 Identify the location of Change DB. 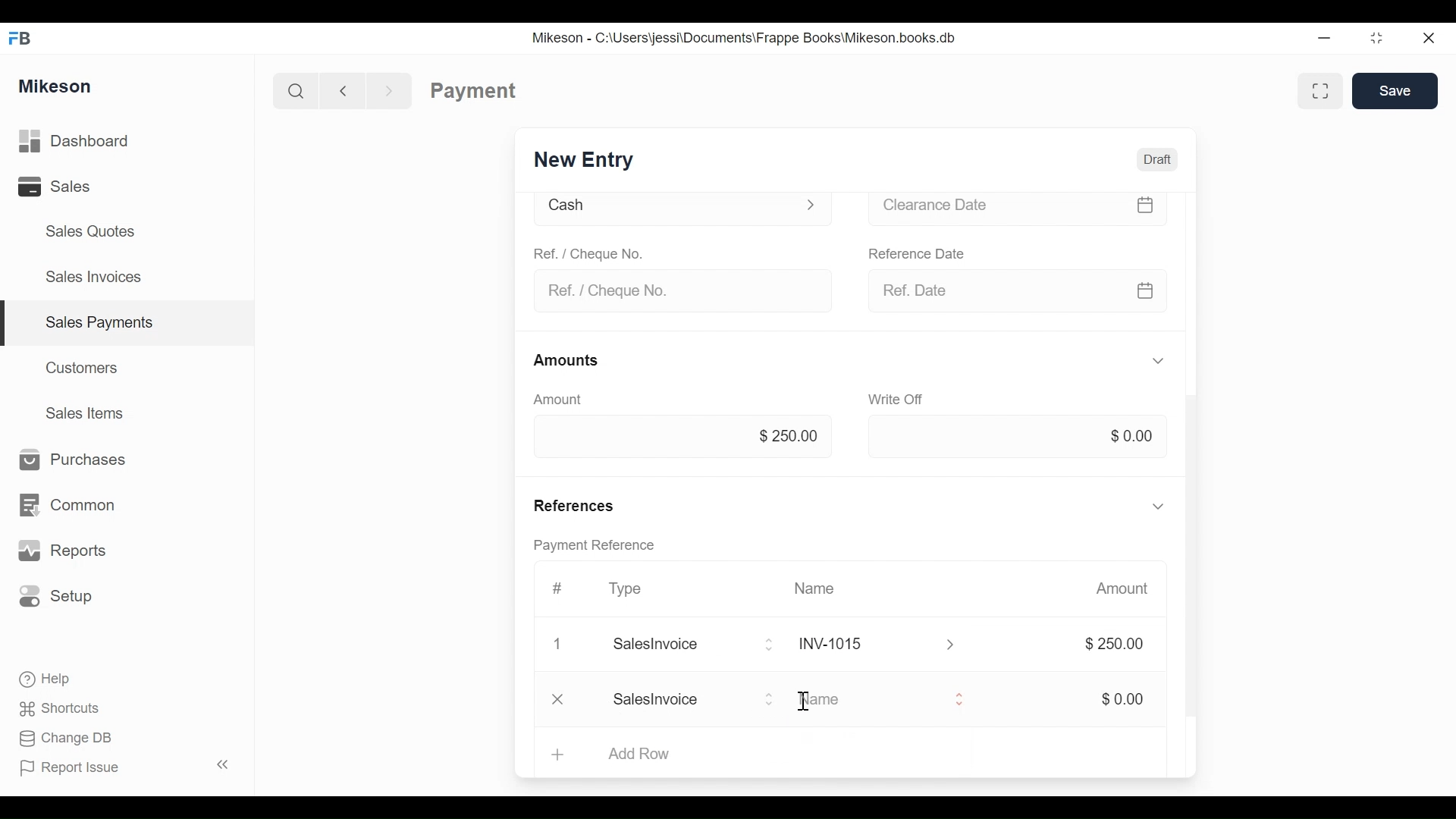
(70, 739).